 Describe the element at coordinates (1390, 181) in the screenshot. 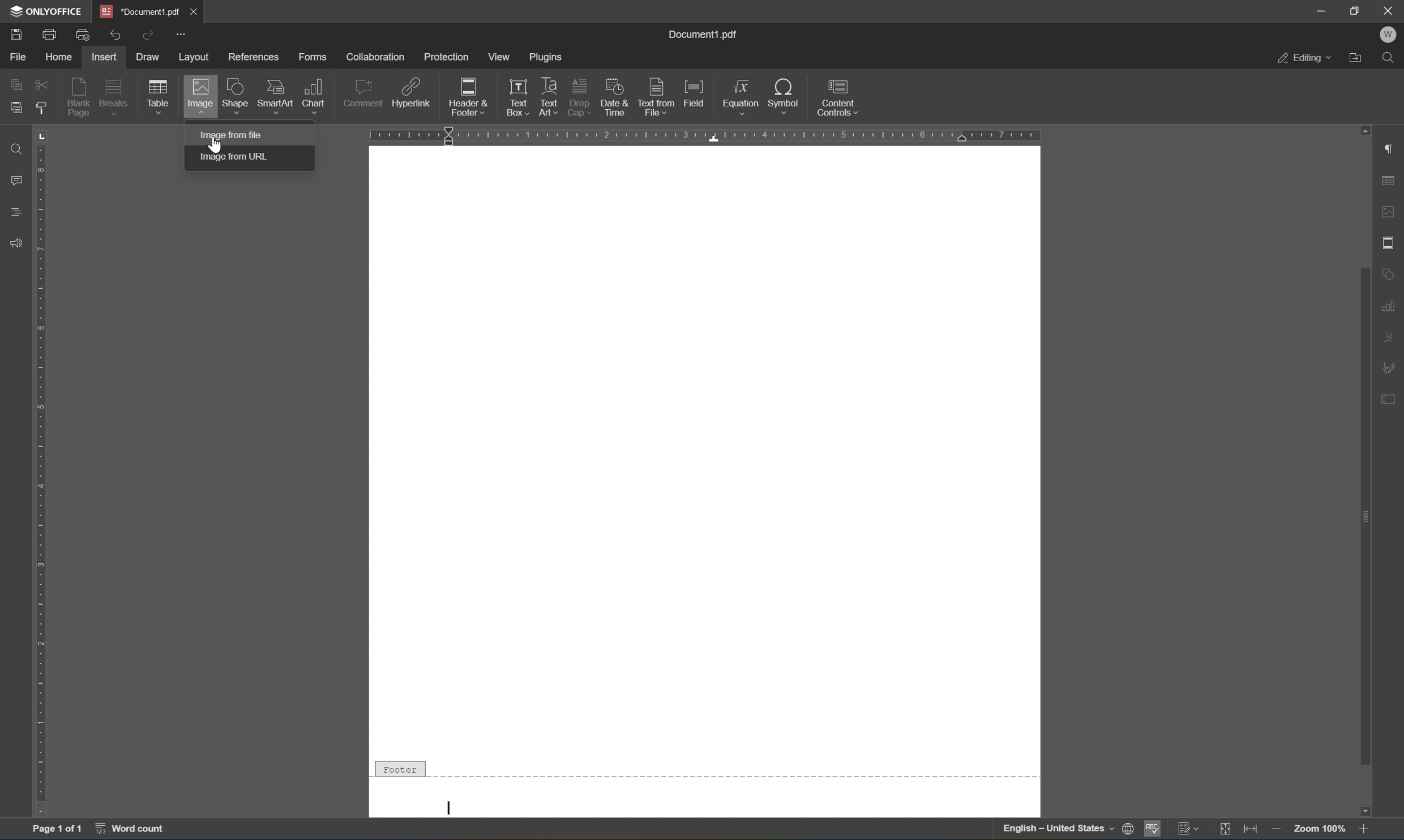

I see `tabular settings` at that location.